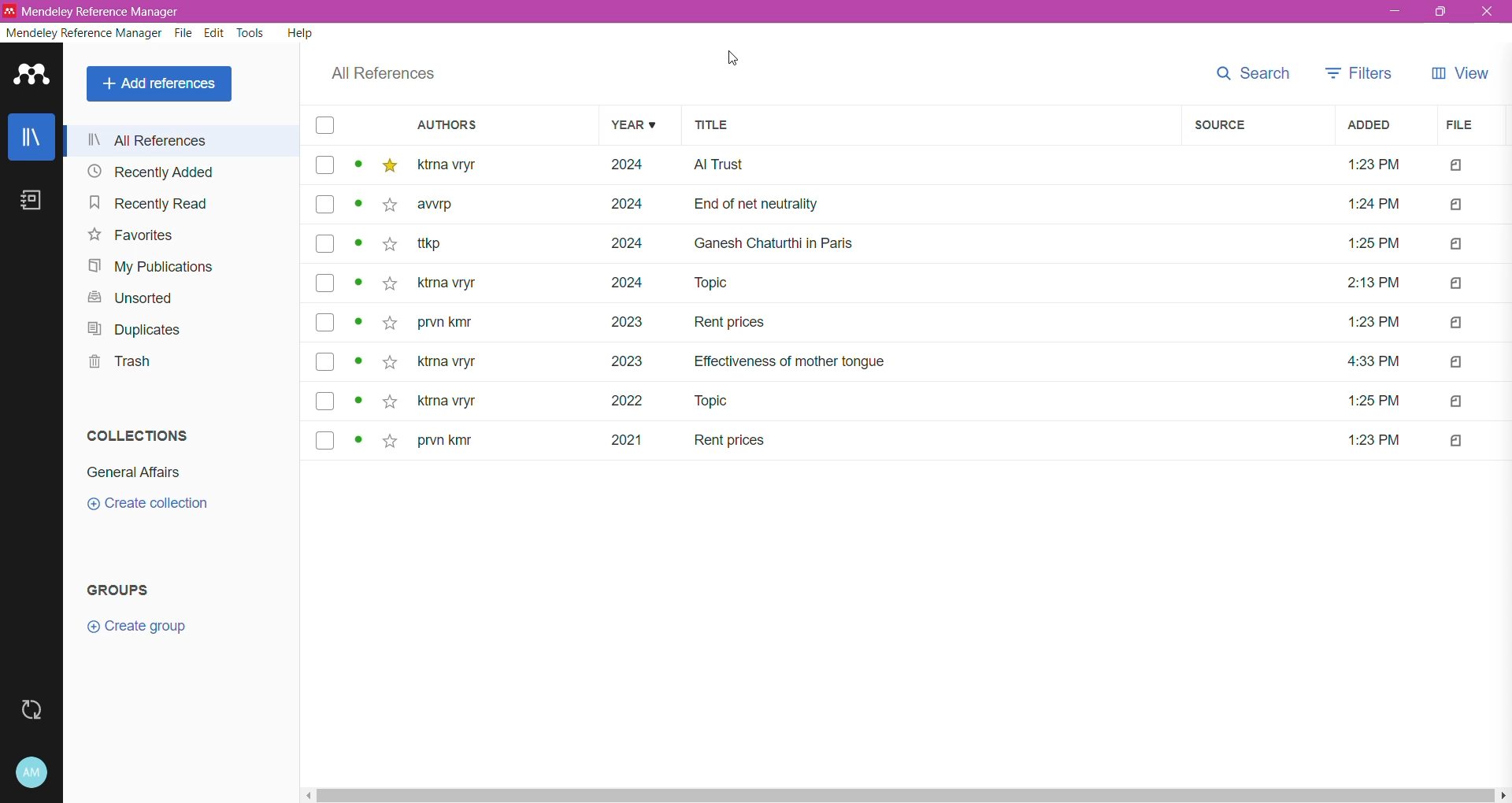 The height and width of the screenshot is (803, 1512). Describe the element at coordinates (148, 204) in the screenshot. I see `Recently Read` at that location.